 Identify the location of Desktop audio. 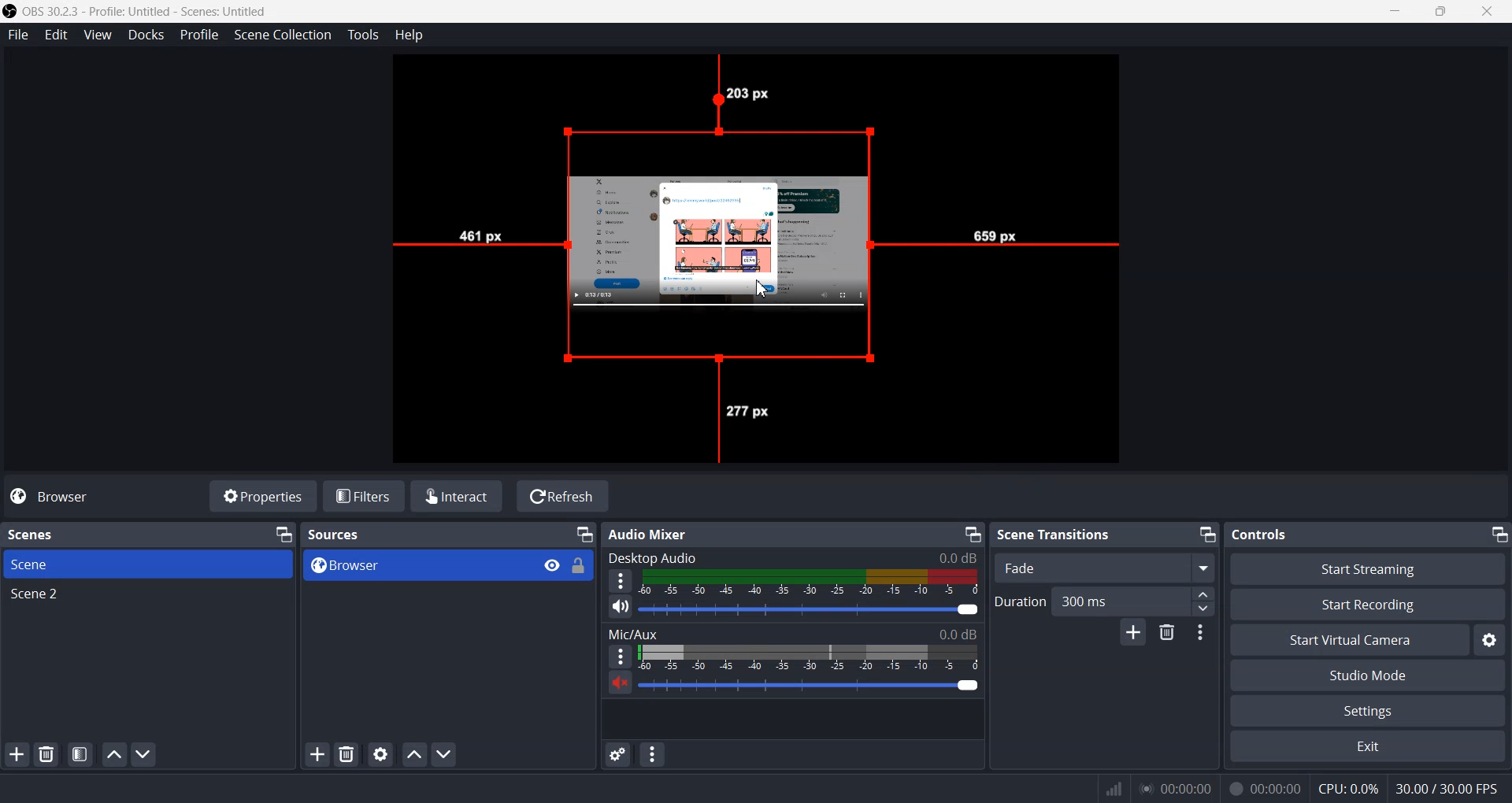
(792, 555).